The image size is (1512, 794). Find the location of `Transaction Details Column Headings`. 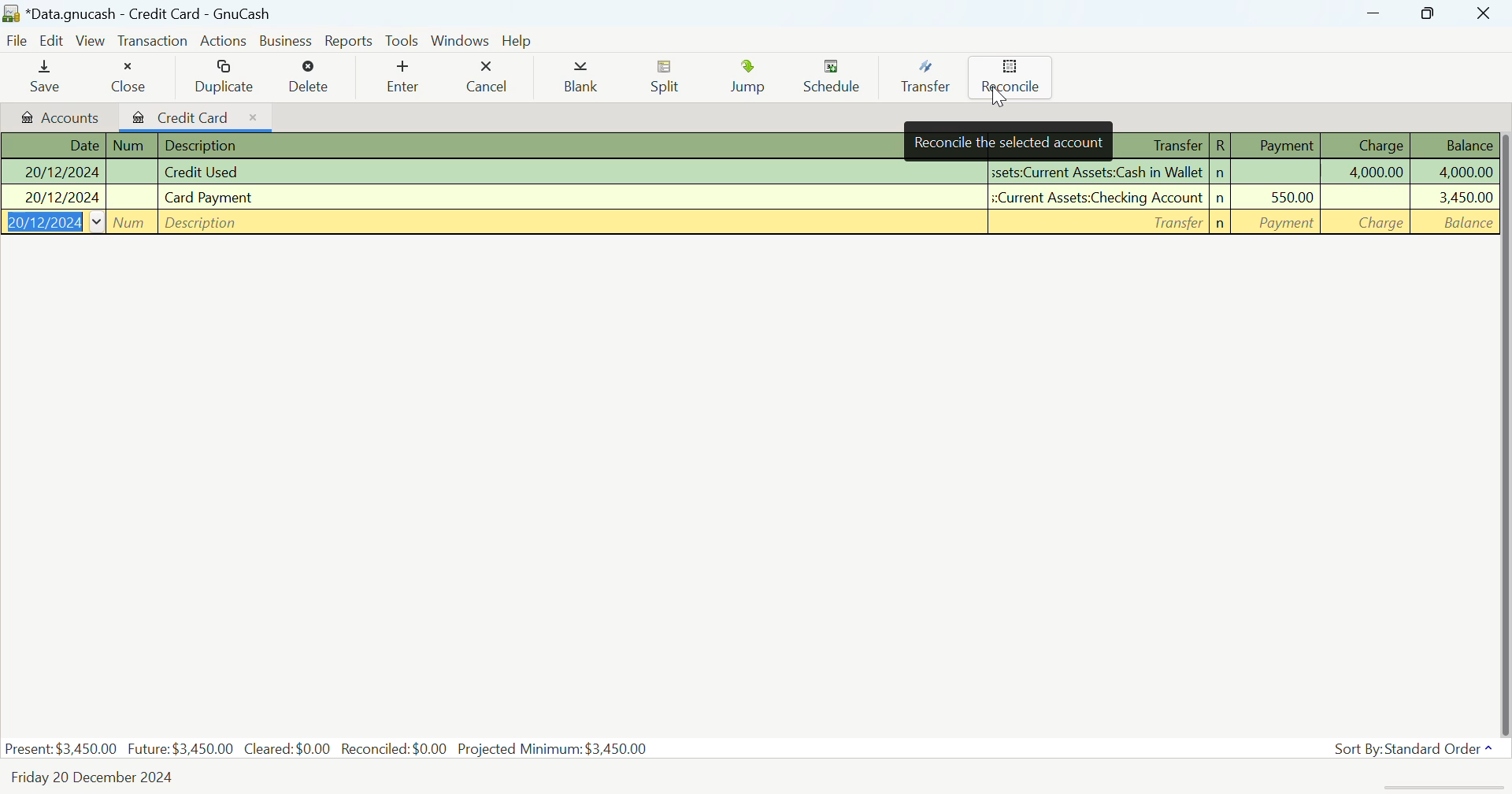

Transaction Details Column Headings is located at coordinates (1303, 145).